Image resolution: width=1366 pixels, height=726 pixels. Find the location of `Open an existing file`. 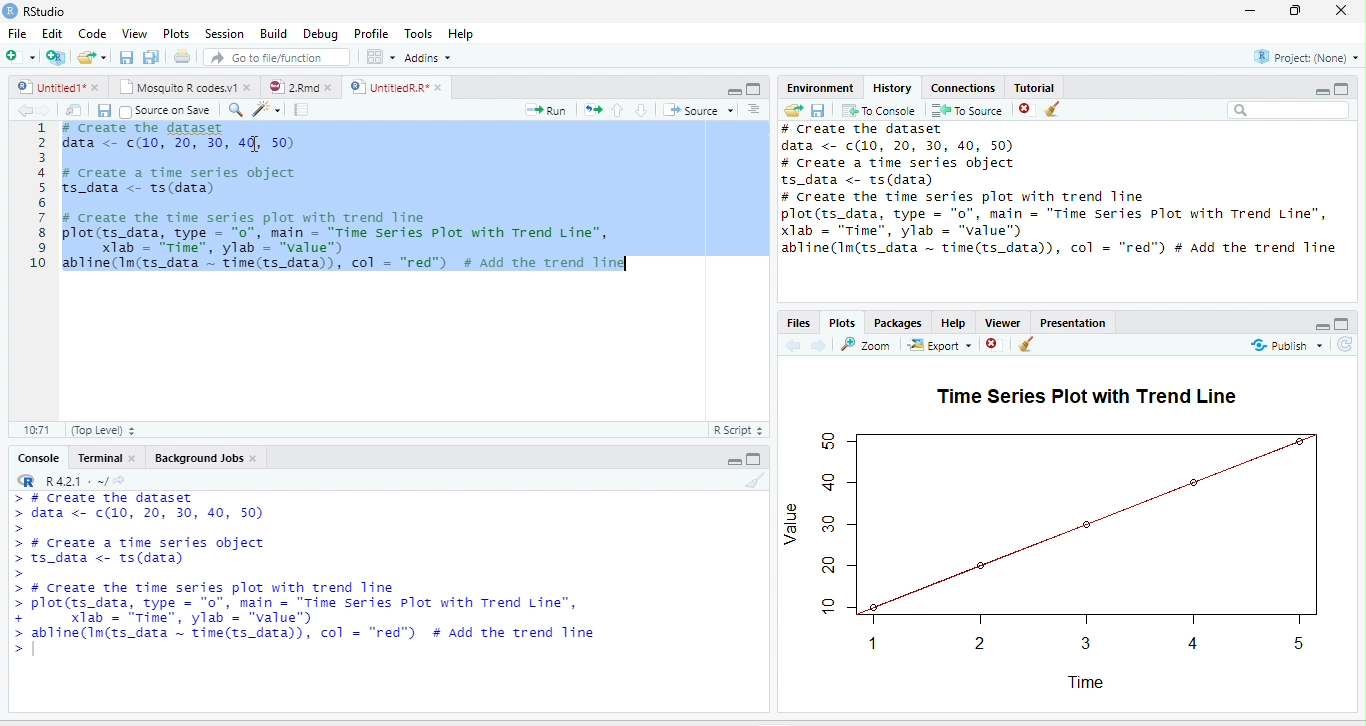

Open an existing file is located at coordinates (86, 56).